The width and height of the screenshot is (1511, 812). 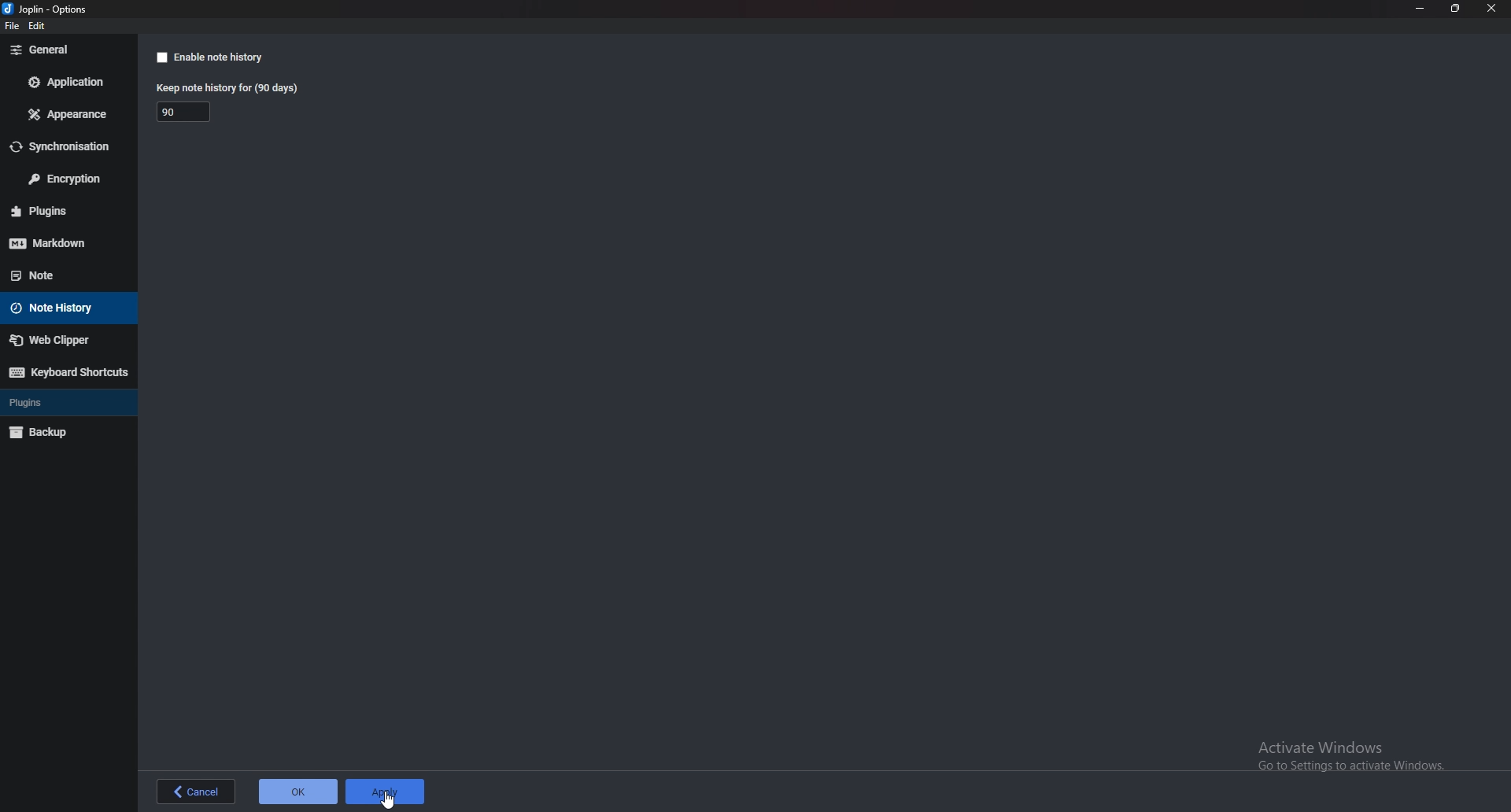 What do you see at coordinates (230, 87) in the screenshot?
I see `Keep note history for` at bounding box center [230, 87].